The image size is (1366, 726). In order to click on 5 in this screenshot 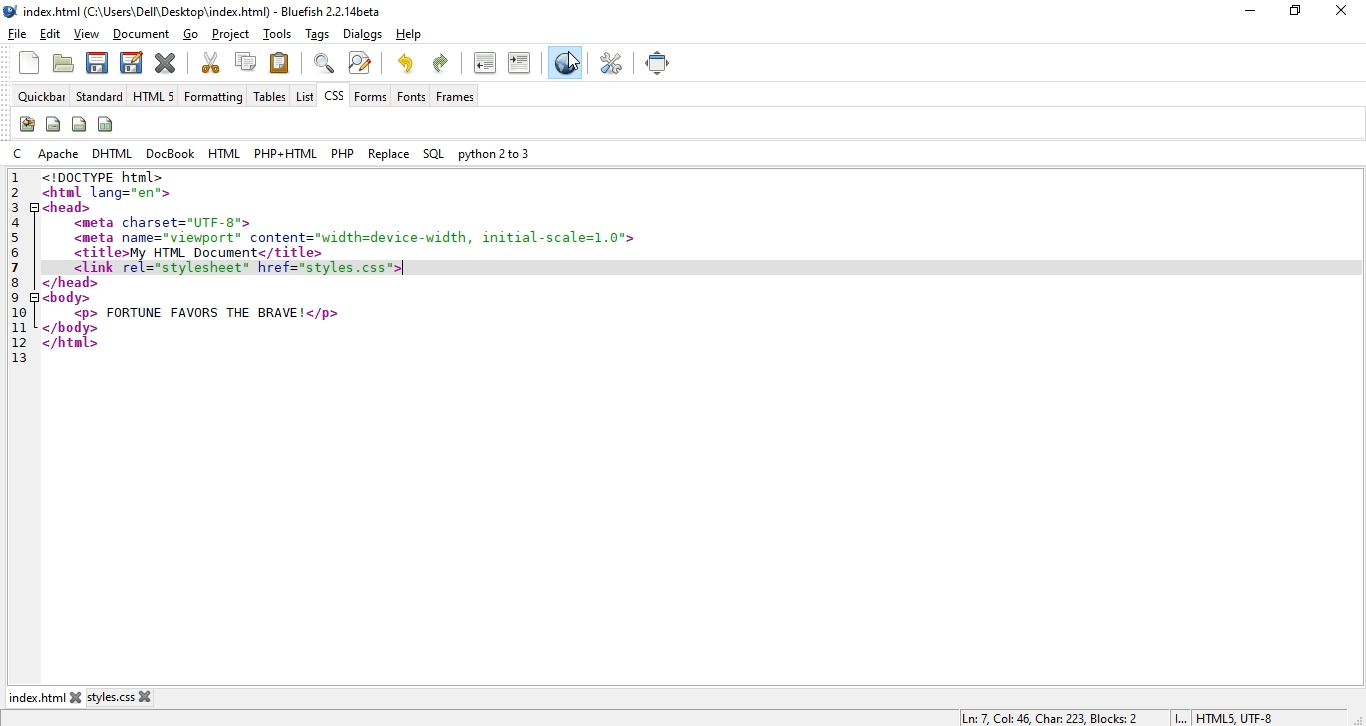, I will do `click(23, 238)`.